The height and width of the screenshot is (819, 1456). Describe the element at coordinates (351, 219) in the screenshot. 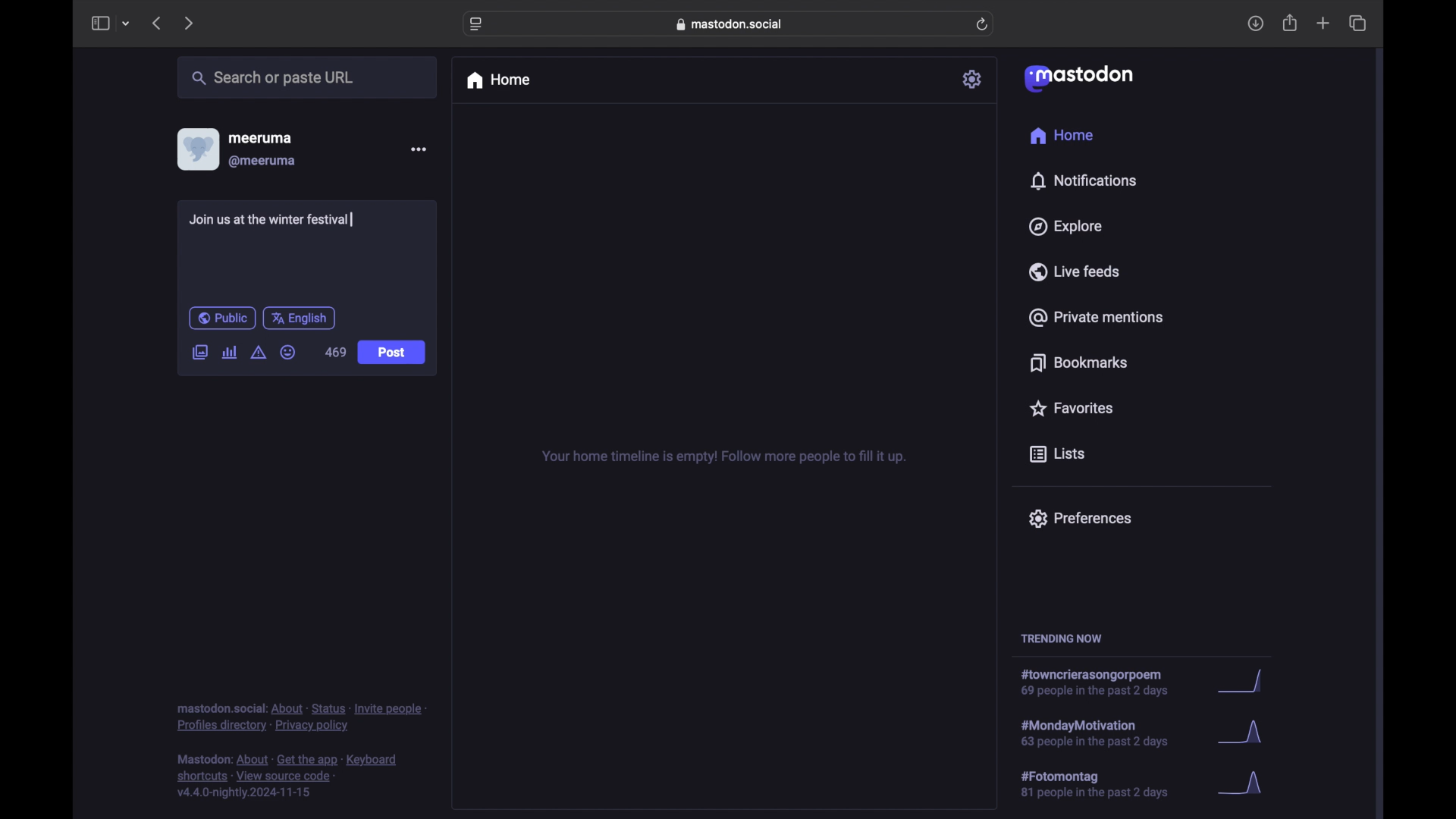

I see `text cursor` at that location.